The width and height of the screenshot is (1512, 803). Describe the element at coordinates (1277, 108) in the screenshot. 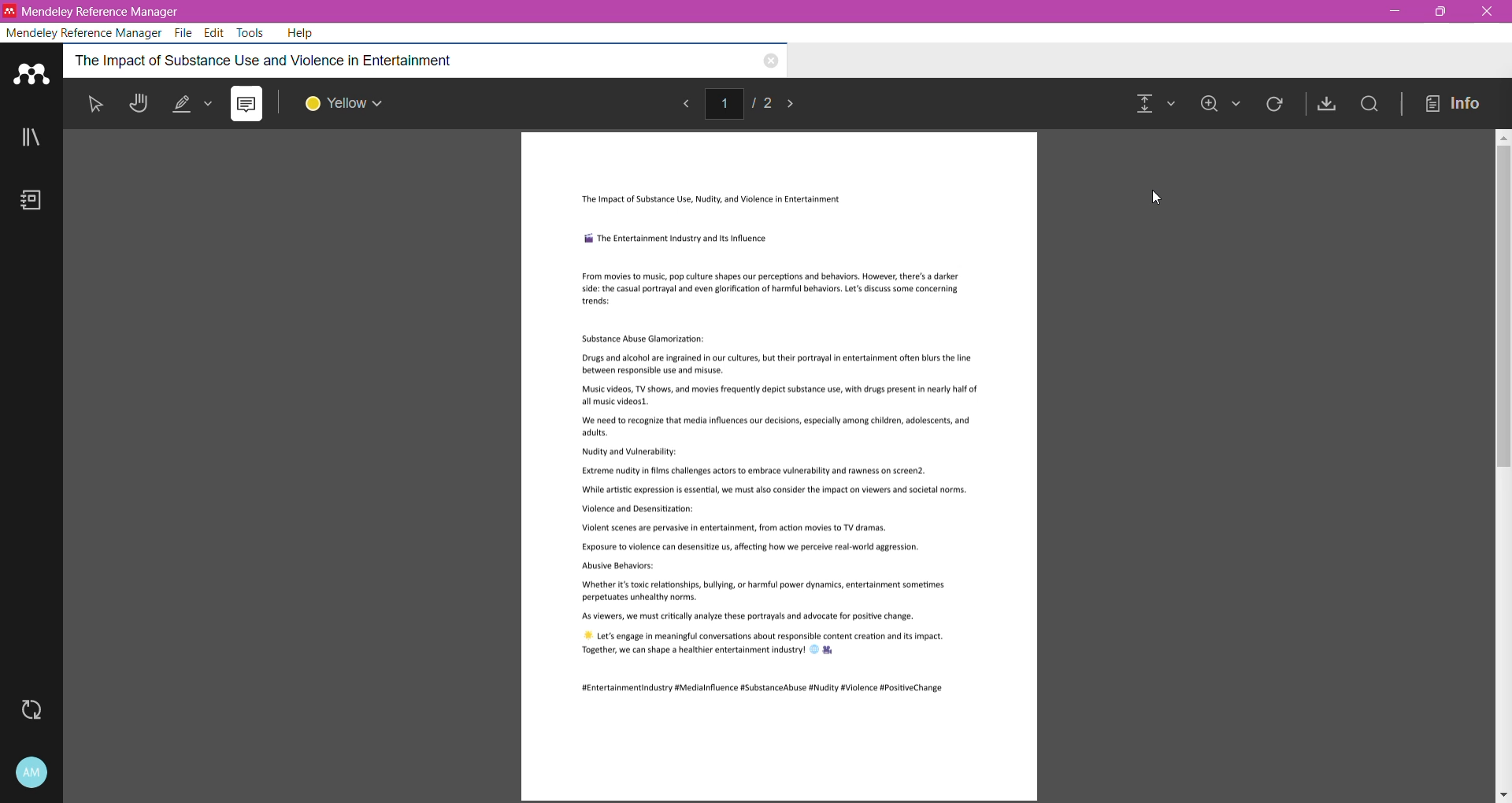

I see `Rotate Current Page` at that location.